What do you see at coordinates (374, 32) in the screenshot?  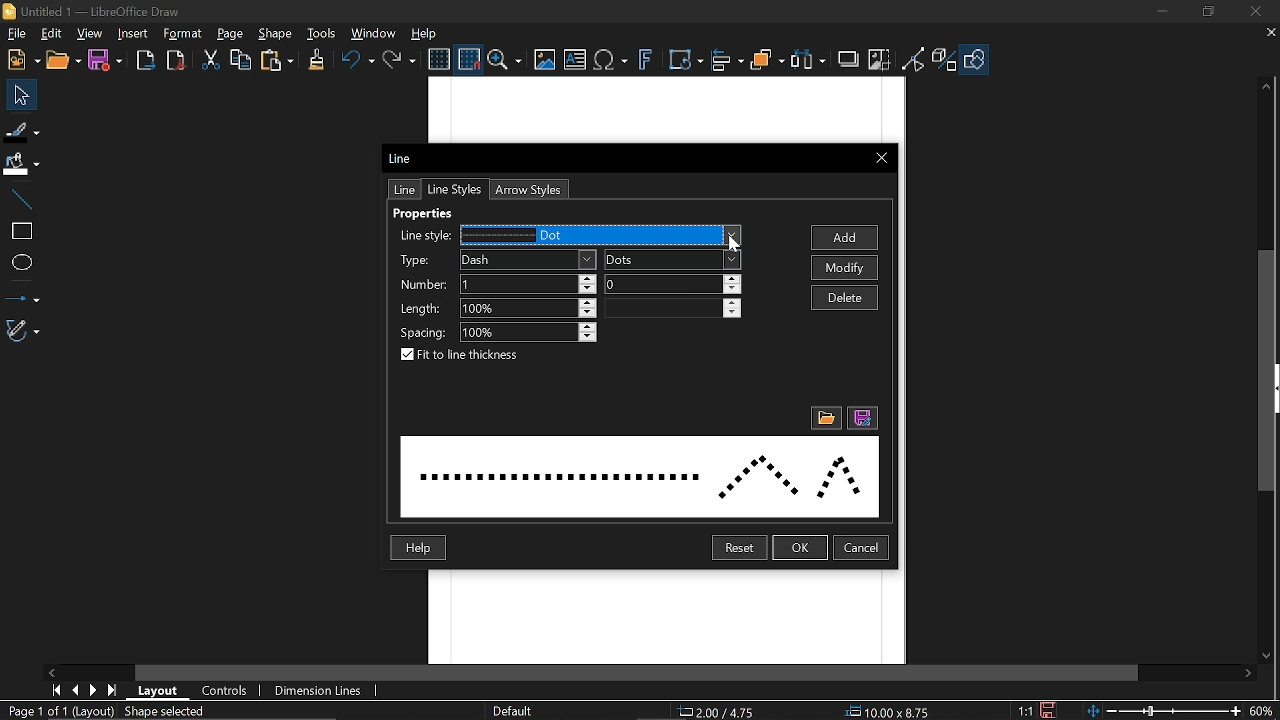 I see `Window` at bounding box center [374, 32].